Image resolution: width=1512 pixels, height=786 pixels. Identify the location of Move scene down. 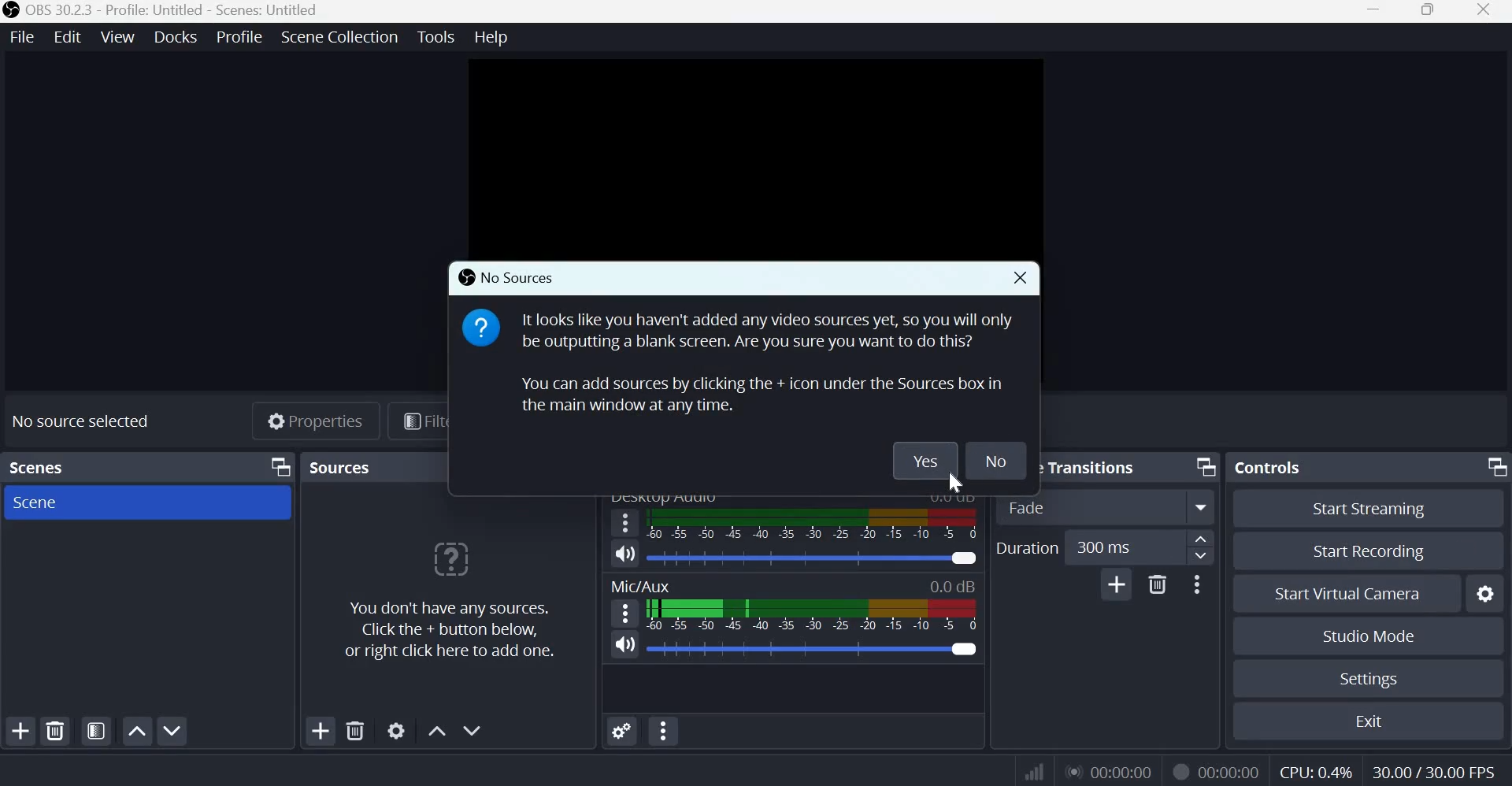
(174, 729).